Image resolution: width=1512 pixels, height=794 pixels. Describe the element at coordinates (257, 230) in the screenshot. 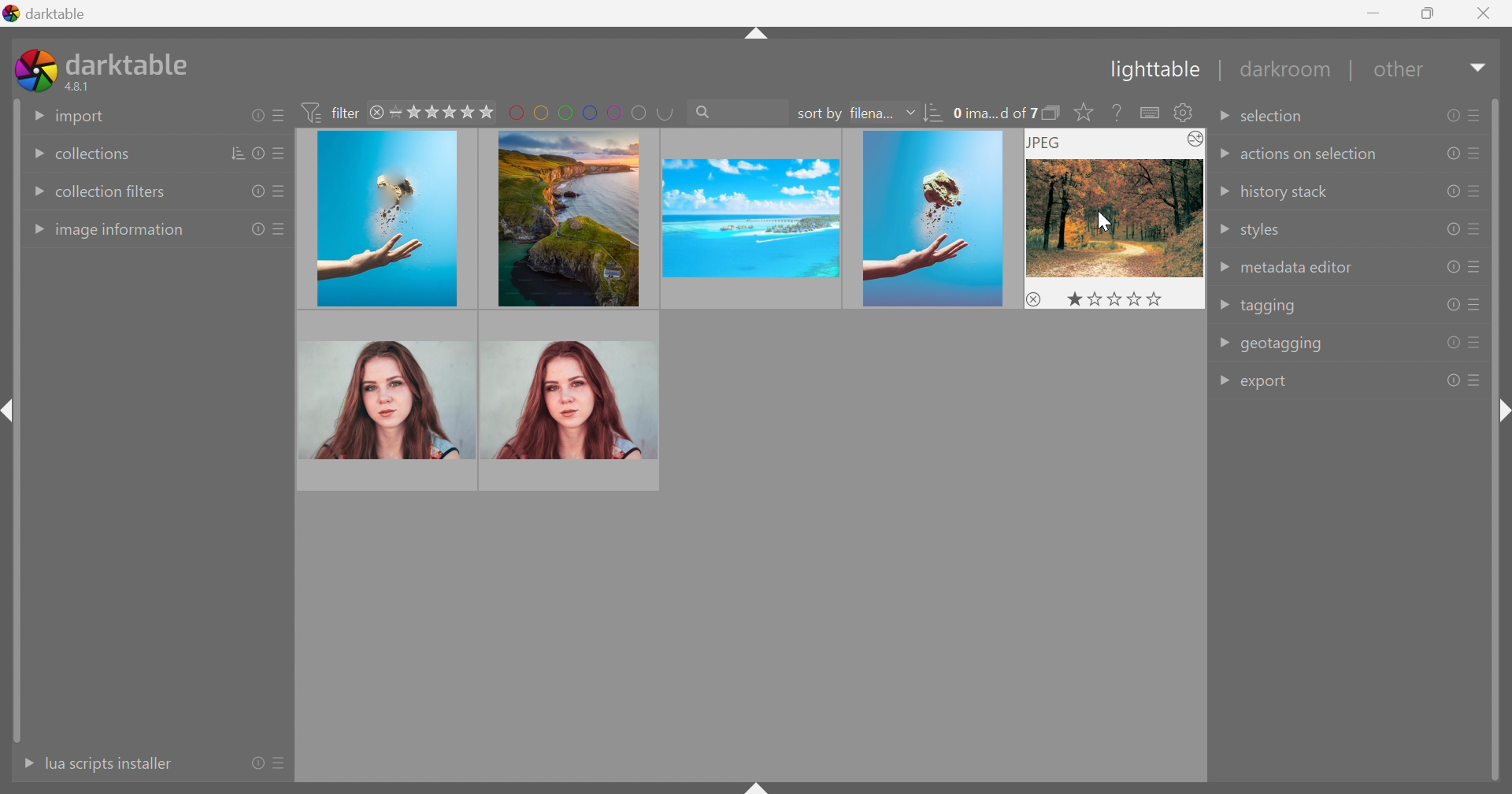

I see `reset` at that location.